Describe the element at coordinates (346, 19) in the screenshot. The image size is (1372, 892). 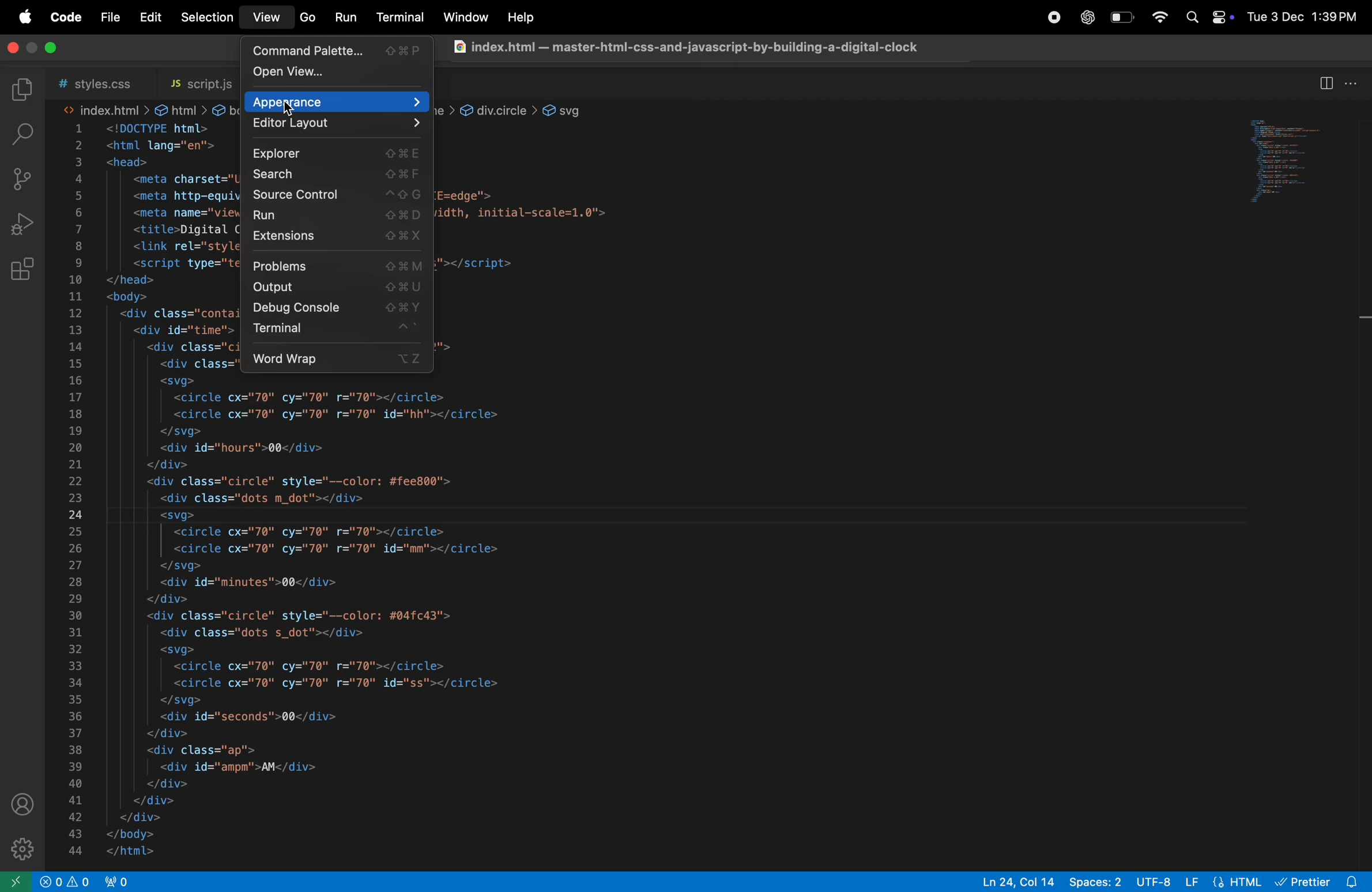
I see `run` at that location.